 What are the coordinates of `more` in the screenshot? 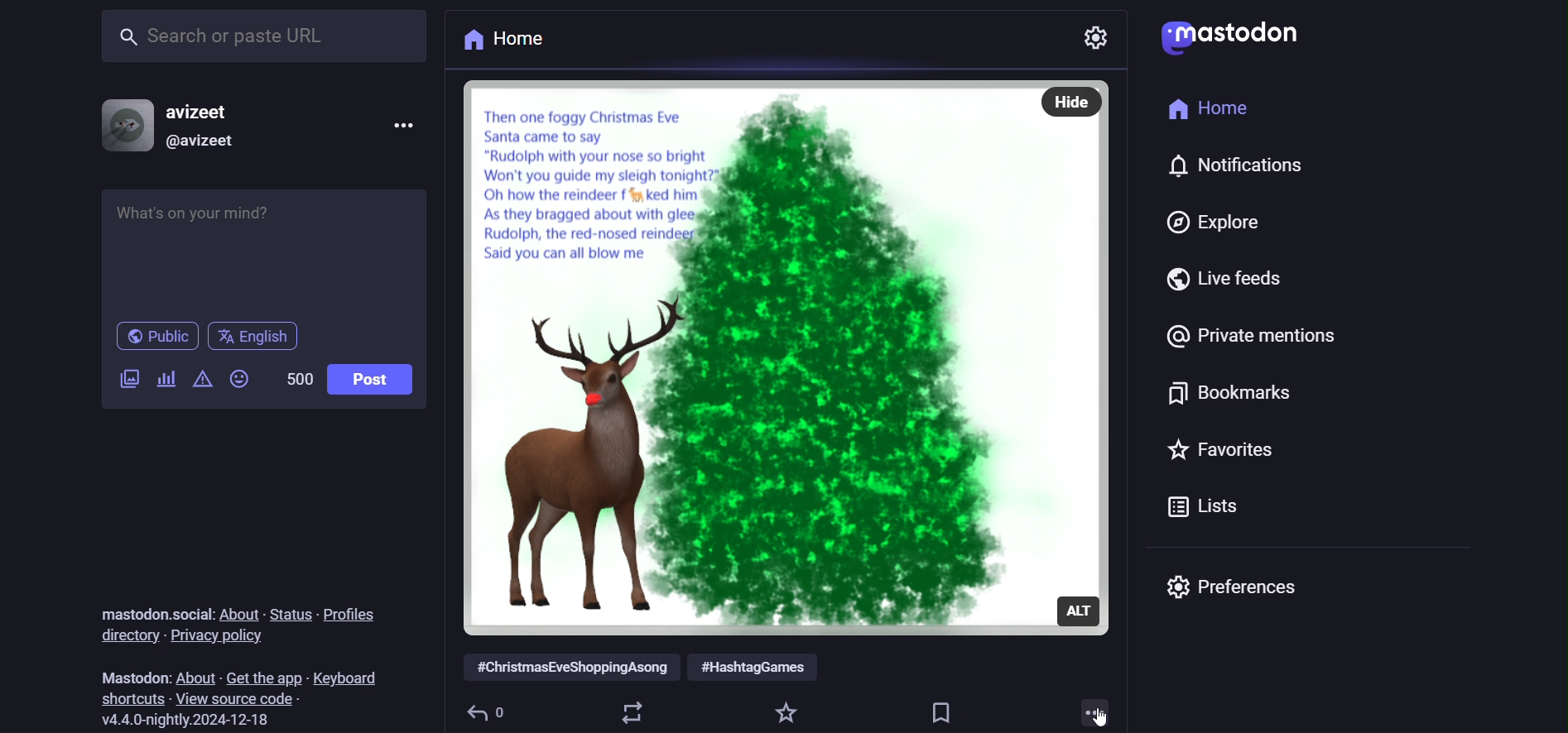 It's located at (1098, 707).